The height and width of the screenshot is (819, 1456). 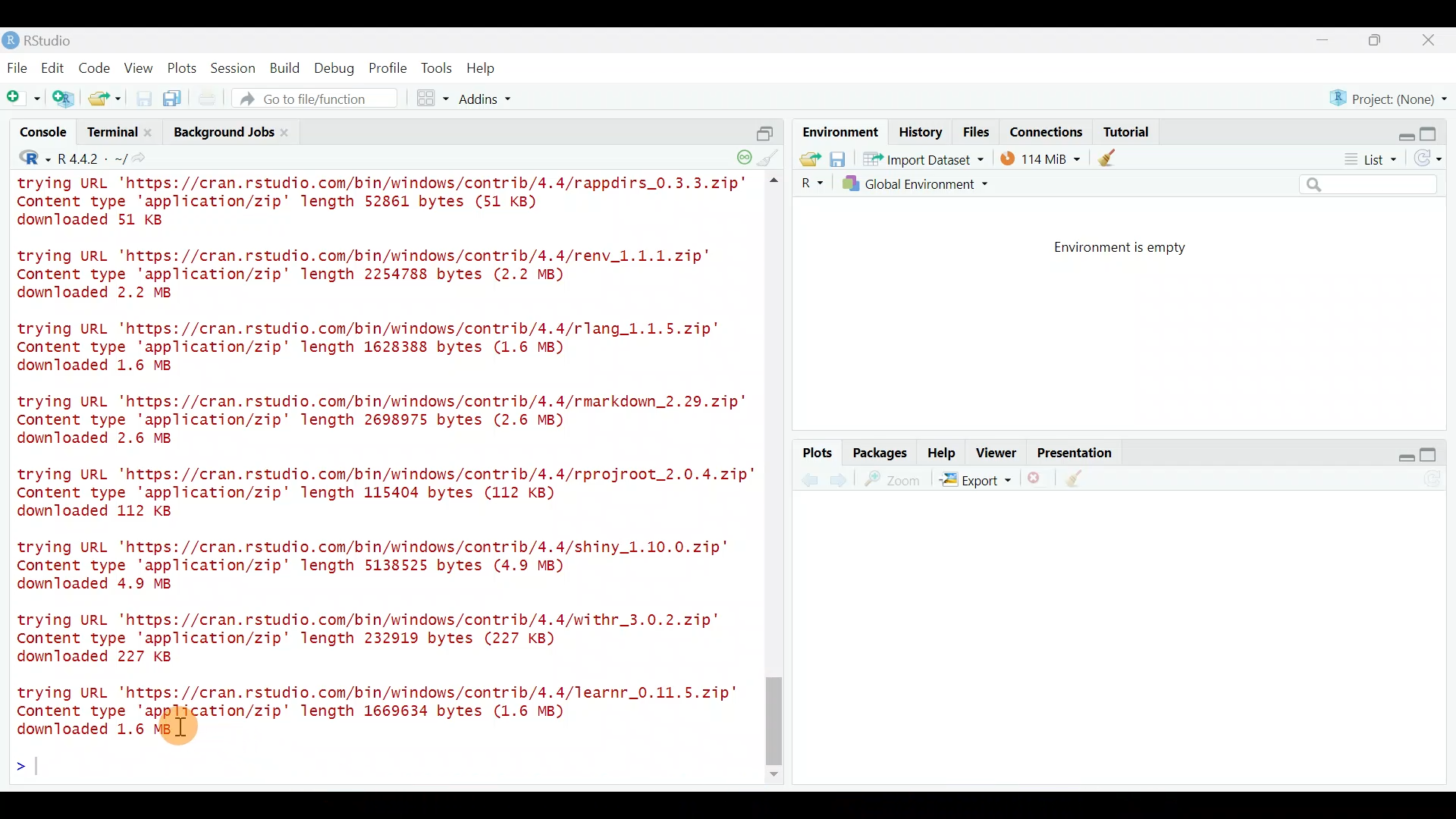 I want to click on Close background jobs, so click(x=293, y=132).